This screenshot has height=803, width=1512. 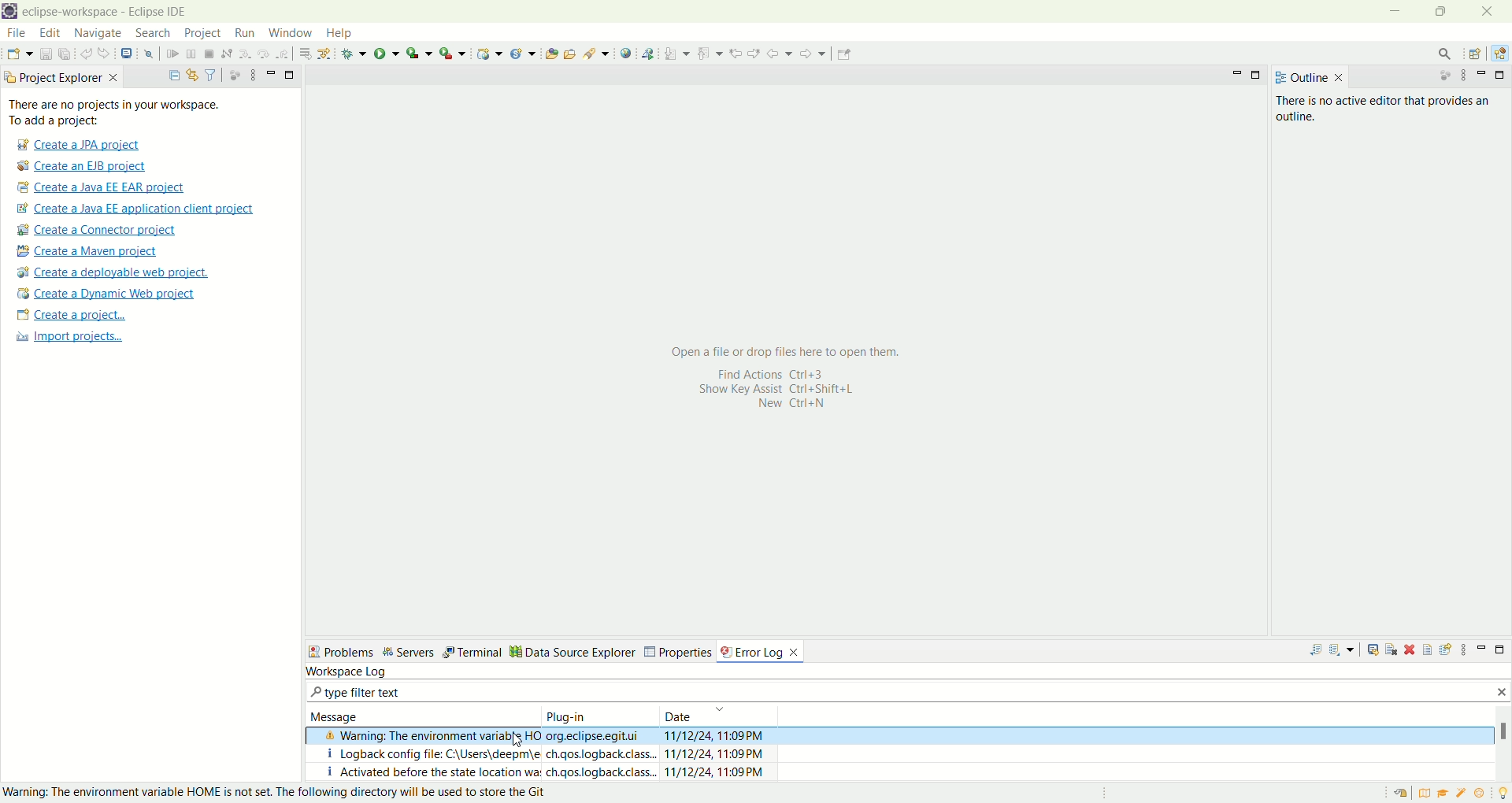 What do you see at coordinates (798, 349) in the screenshot?
I see `open a file or drop files here to open them` at bounding box center [798, 349].